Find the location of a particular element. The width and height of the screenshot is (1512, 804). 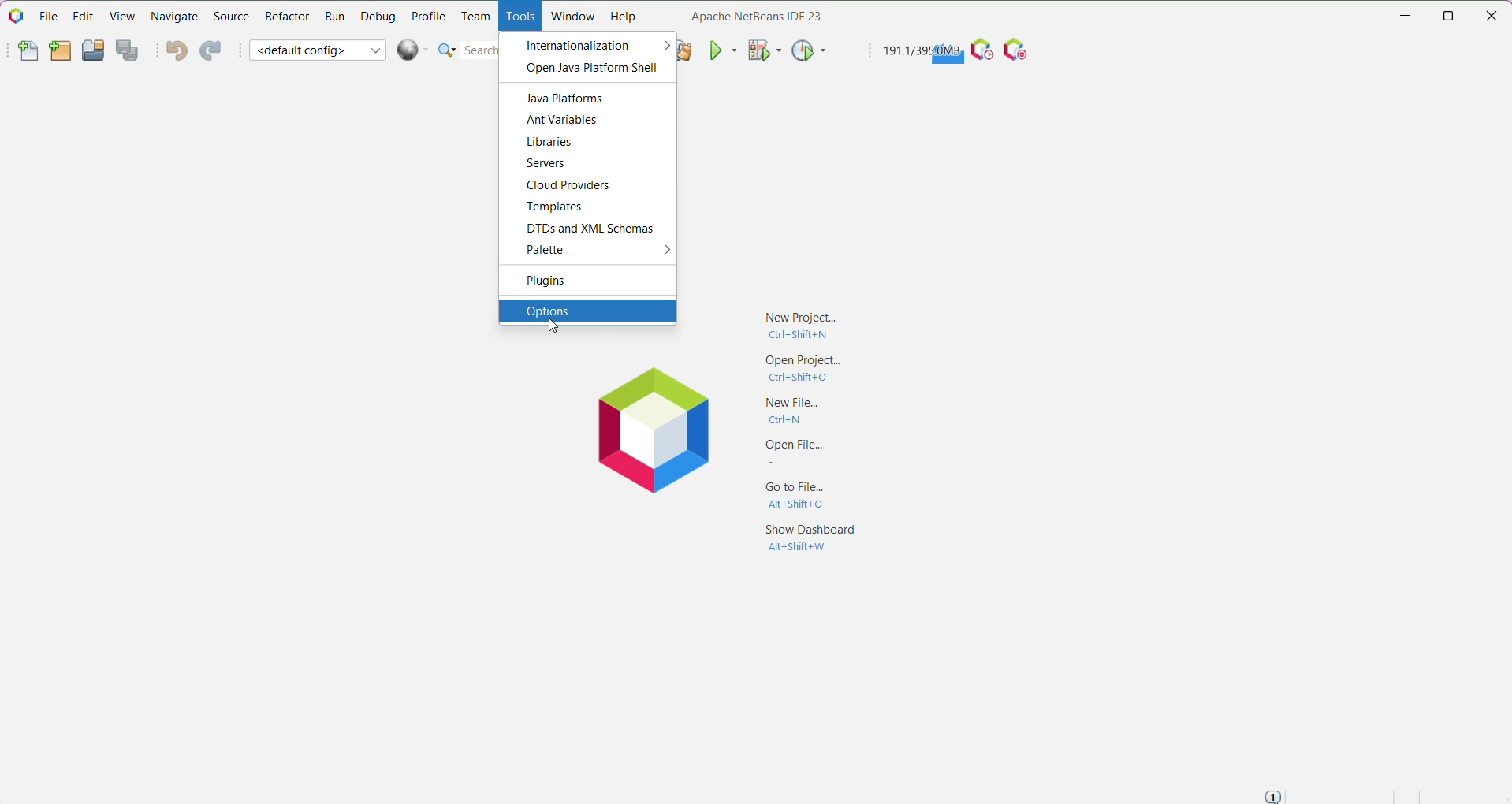

Pause I/O Checks is located at coordinates (1019, 50).